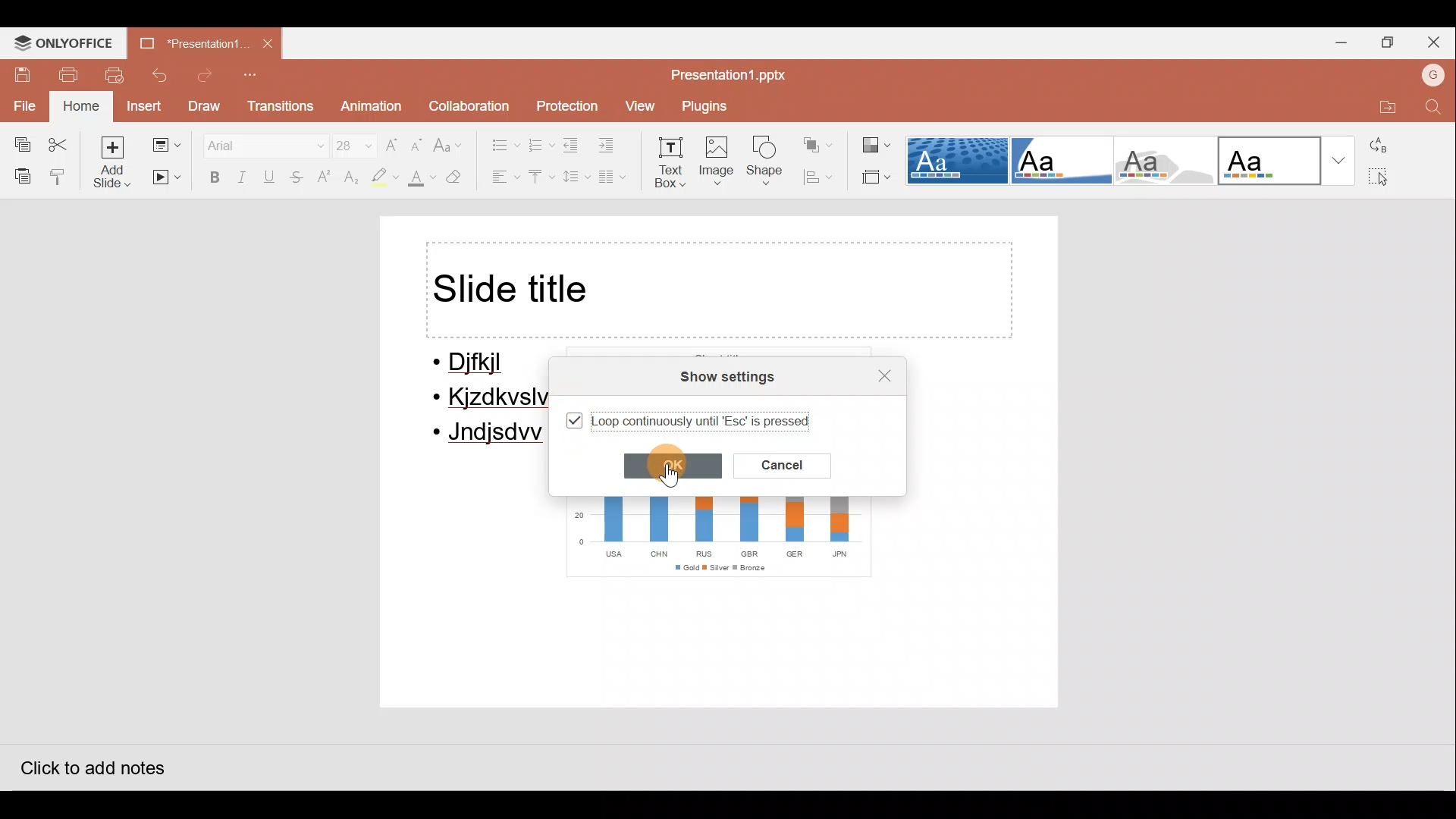 This screenshot has width=1456, height=819. What do you see at coordinates (58, 74) in the screenshot?
I see `Print file` at bounding box center [58, 74].